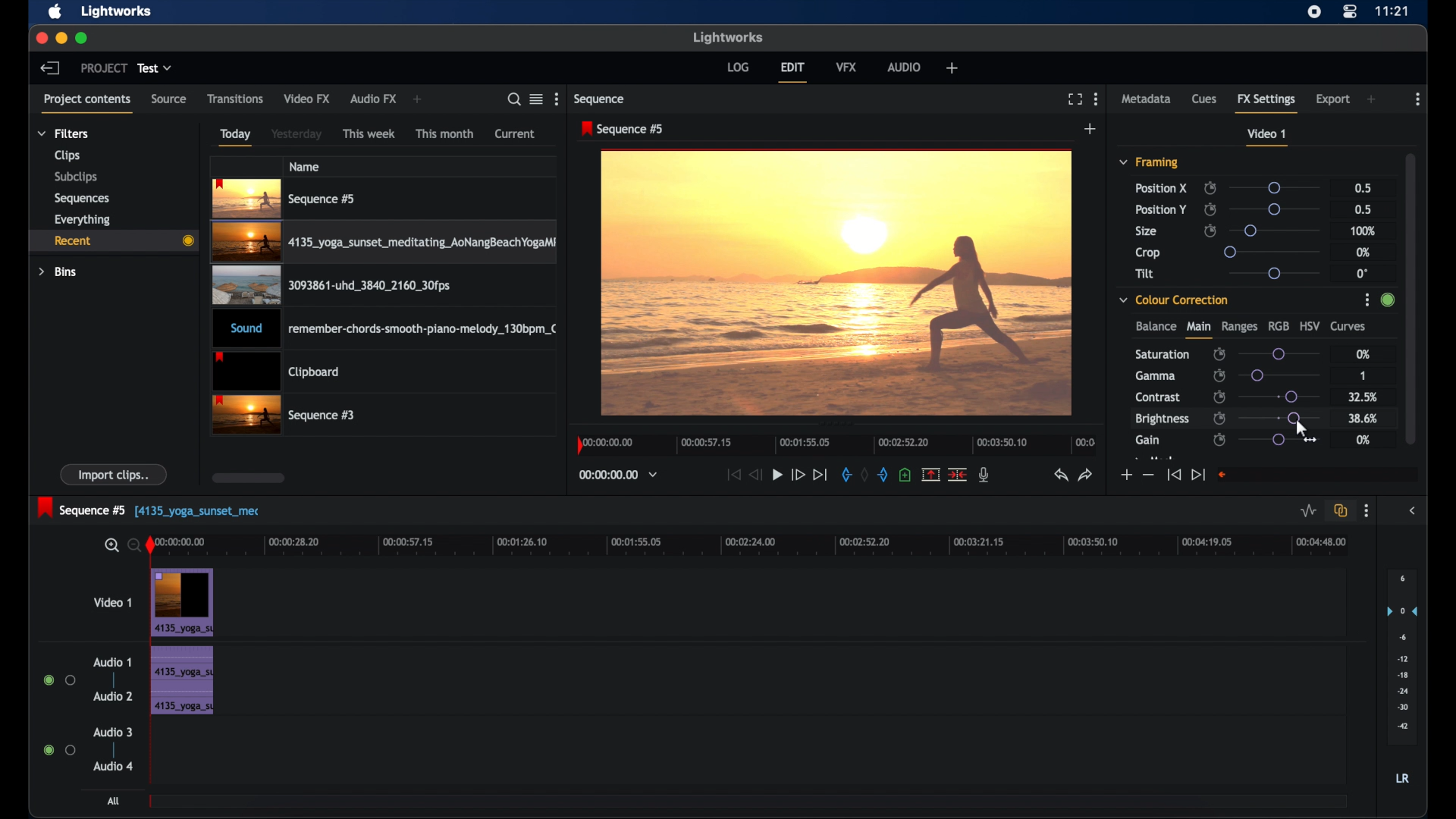  What do you see at coordinates (623, 129) in the screenshot?
I see `sequence` at bounding box center [623, 129].